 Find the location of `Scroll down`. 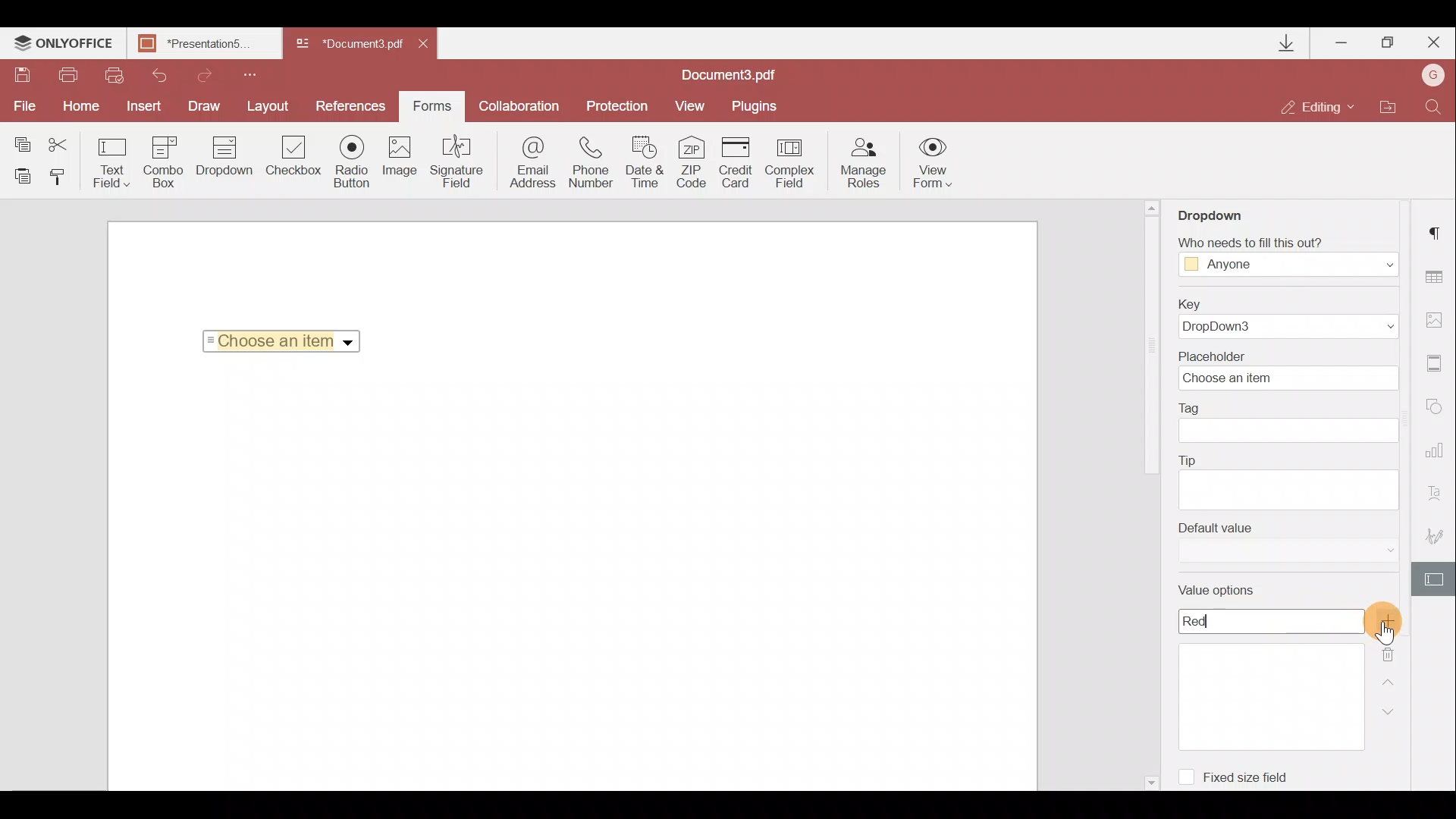

Scroll down is located at coordinates (1150, 780).